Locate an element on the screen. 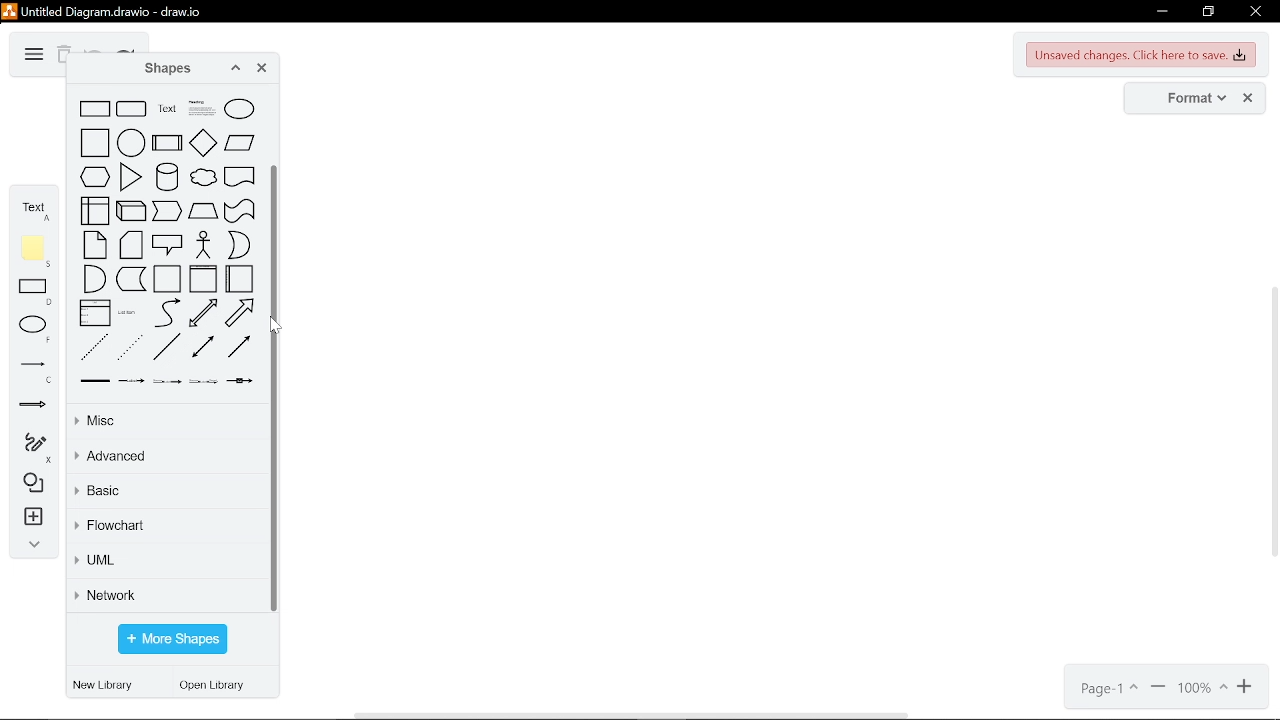 The height and width of the screenshot is (720, 1280). and is located at coordinates (94, 279).